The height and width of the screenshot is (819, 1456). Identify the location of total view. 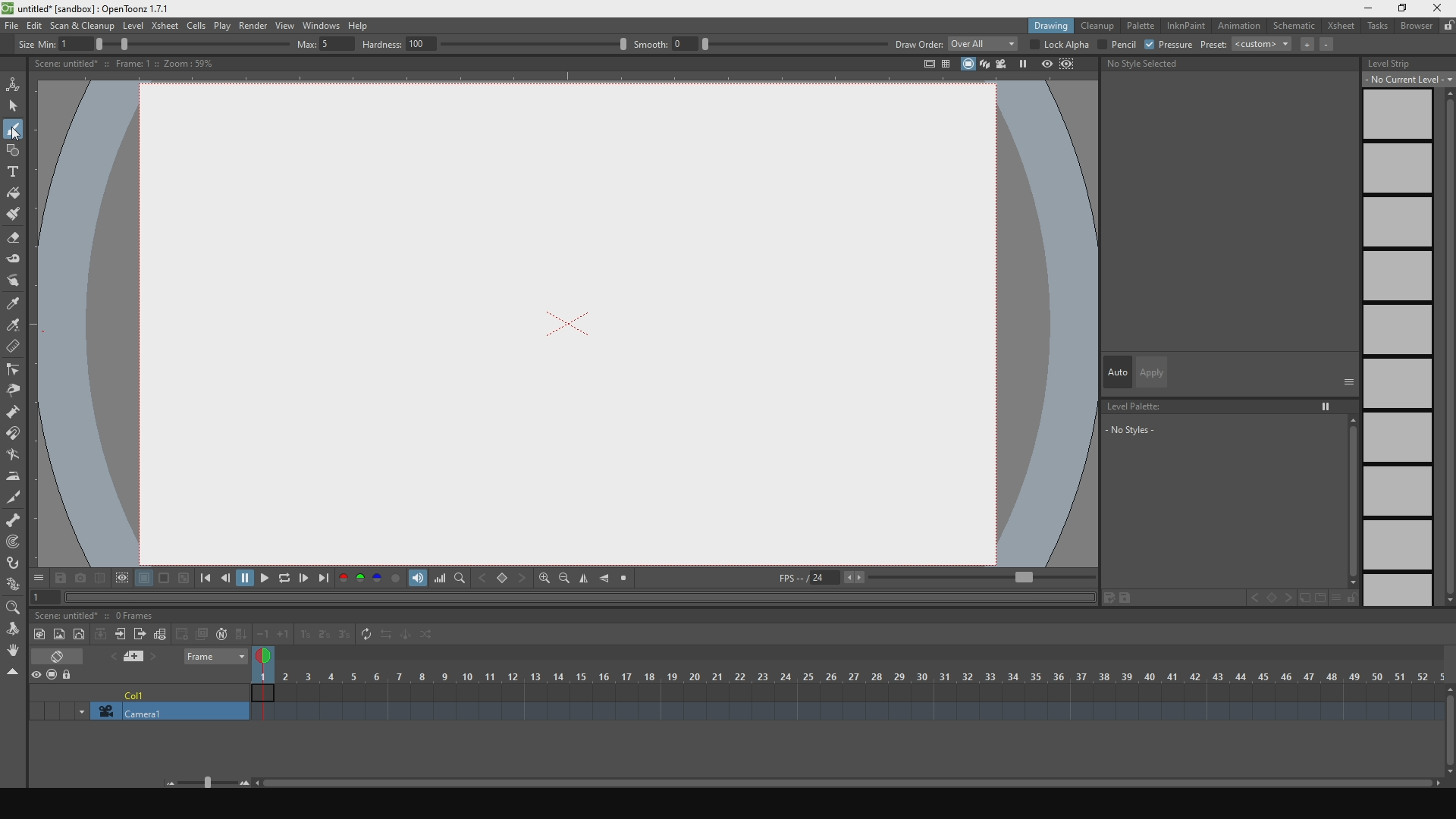
(918, 65).